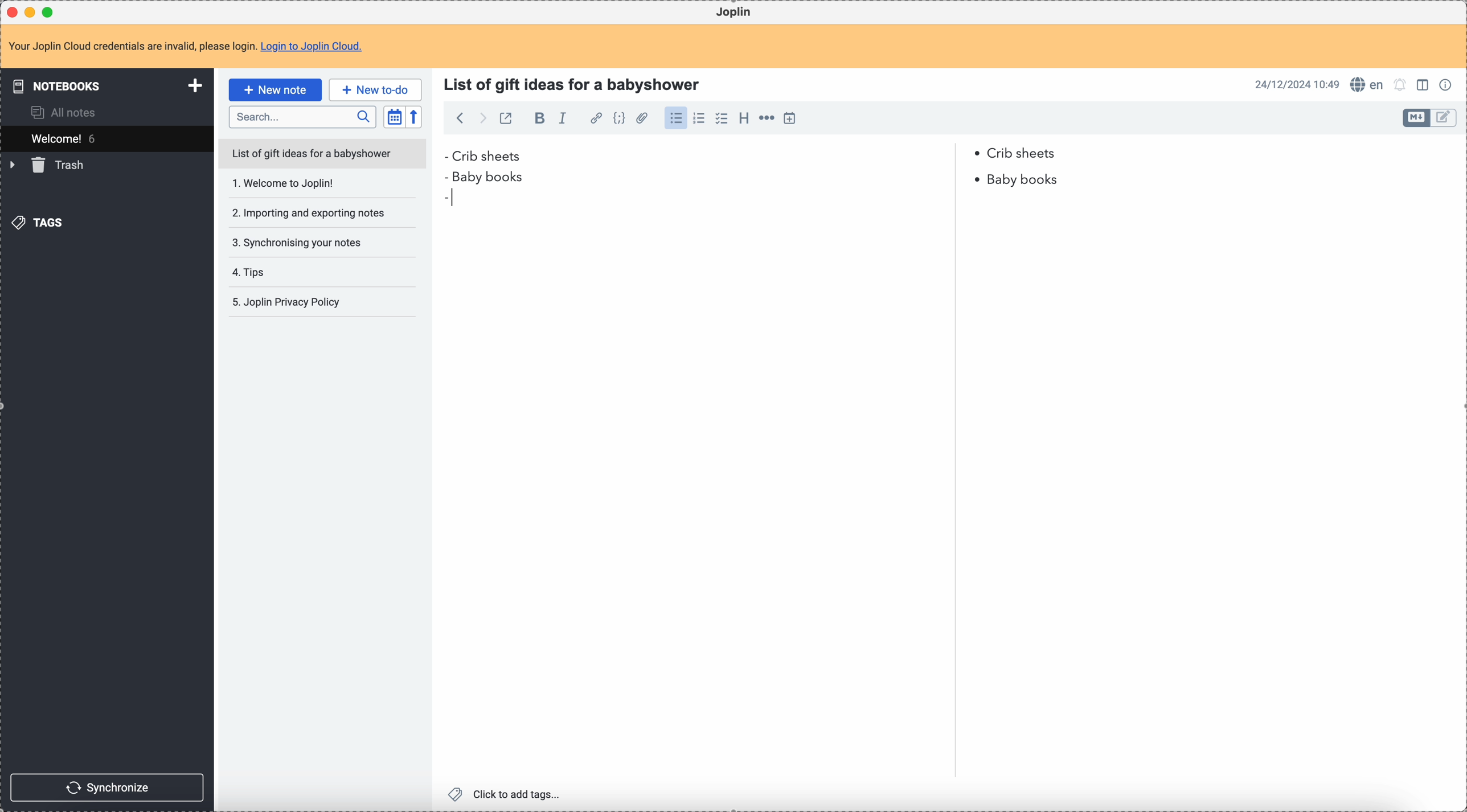 This screenshot has height=812, width=1467. I want to click on baby books, so click(1026, 181).